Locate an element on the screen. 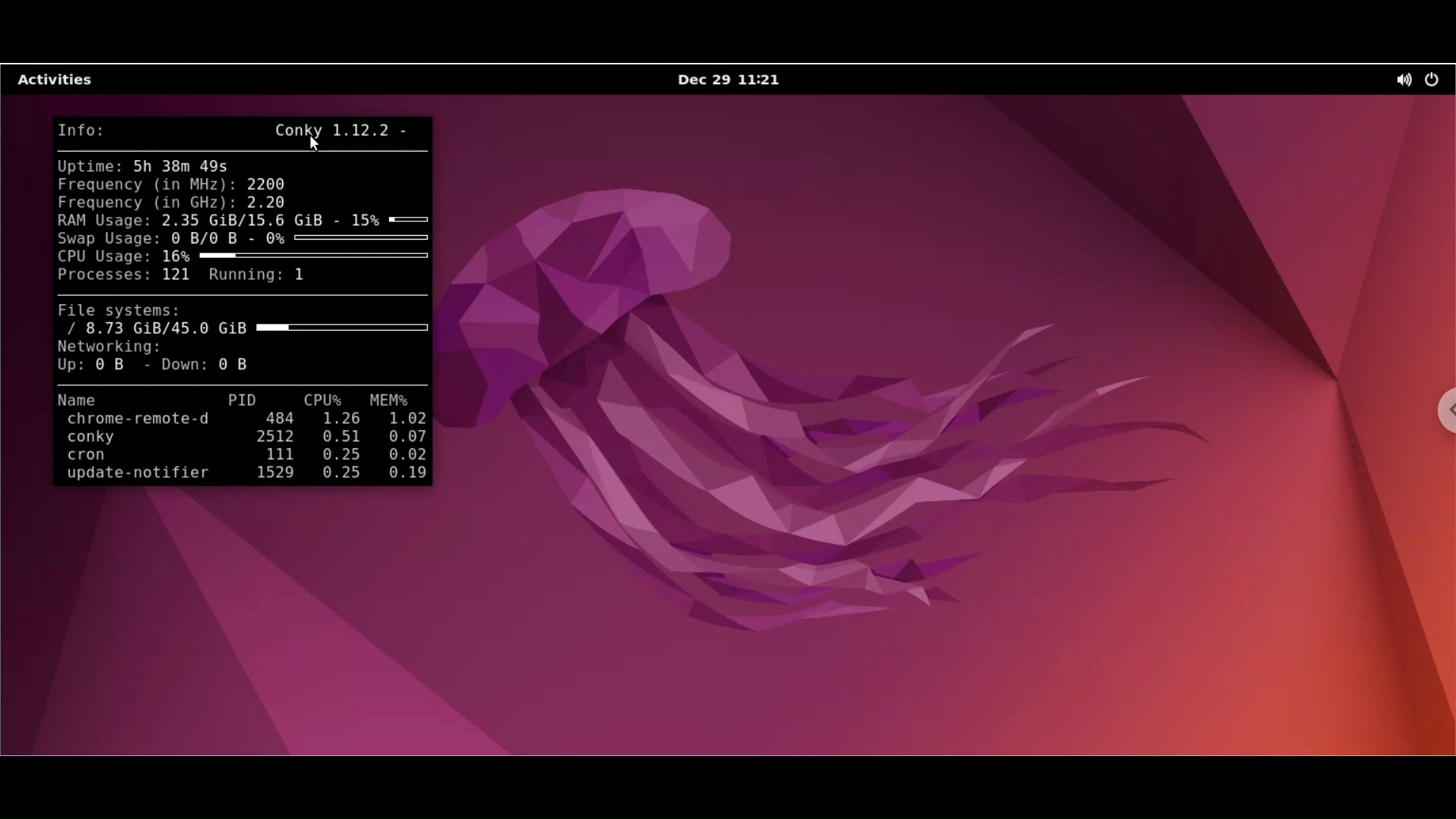  0.25 is located at coordinates (336, 456).